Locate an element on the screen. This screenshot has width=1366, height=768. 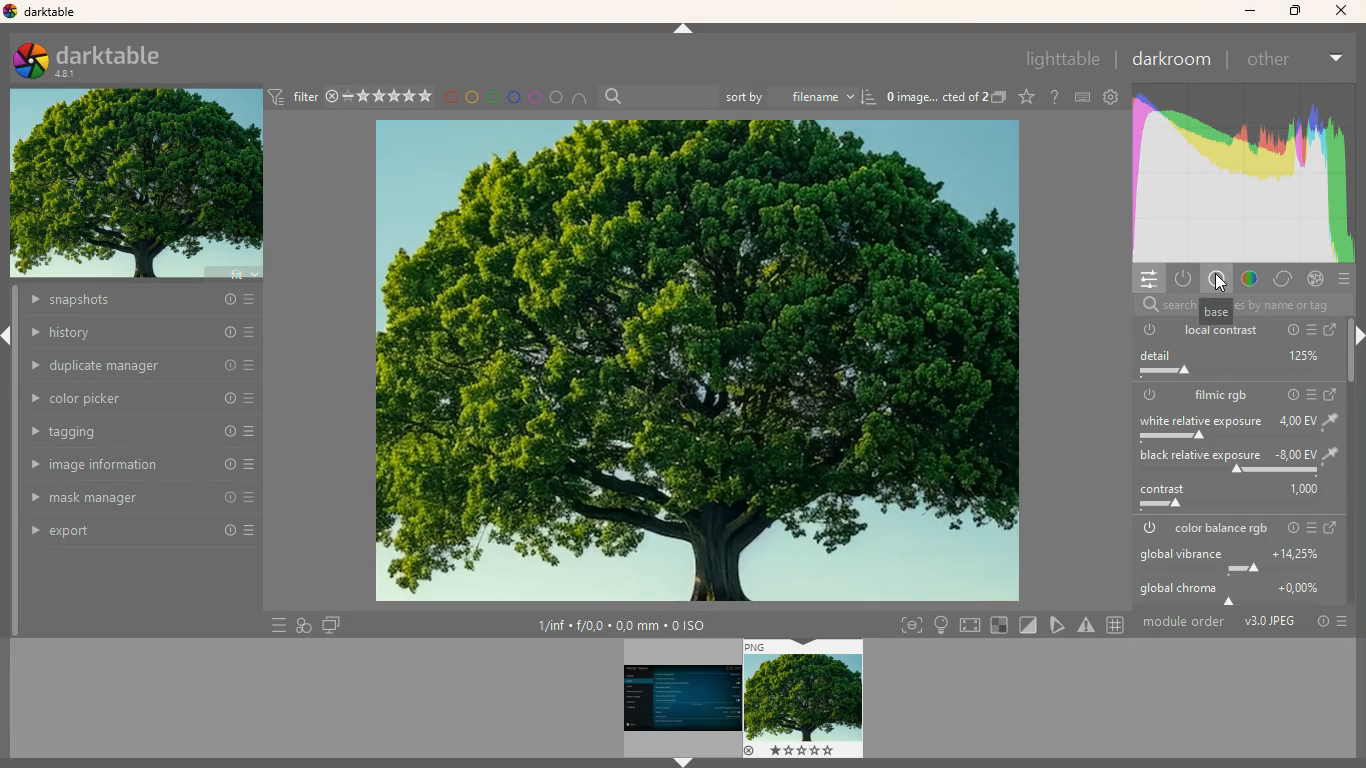
color balance rgb is located at coordinates (1222, 528).